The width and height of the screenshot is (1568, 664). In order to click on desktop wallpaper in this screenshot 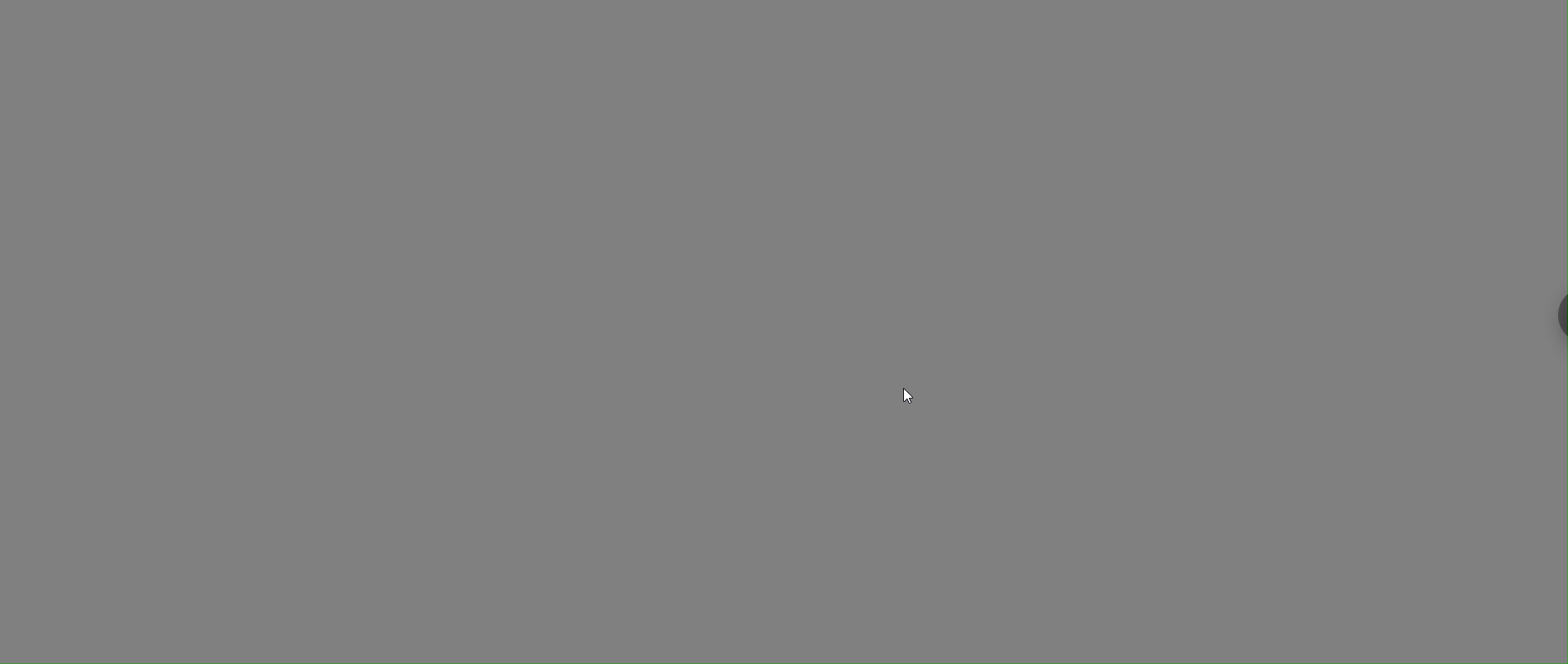, I will do `click(786, 333)`.